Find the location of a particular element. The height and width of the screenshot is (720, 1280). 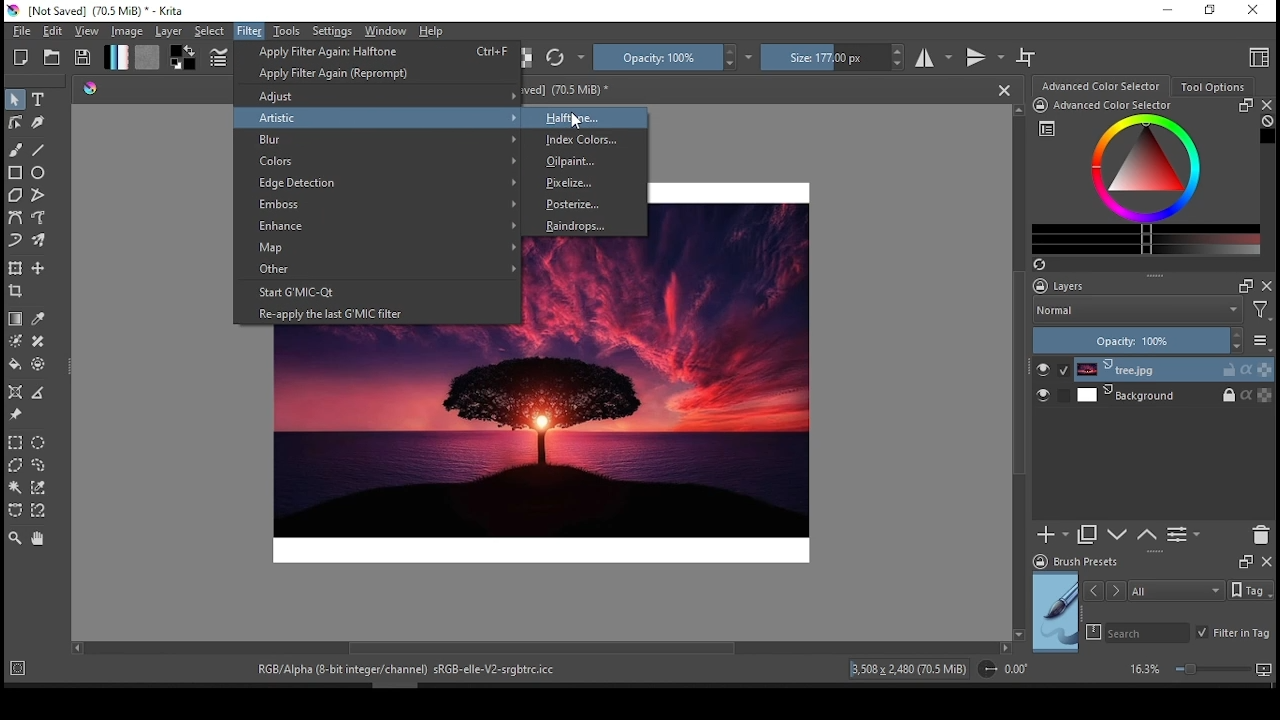

edit is located at coordinates (52, 31).